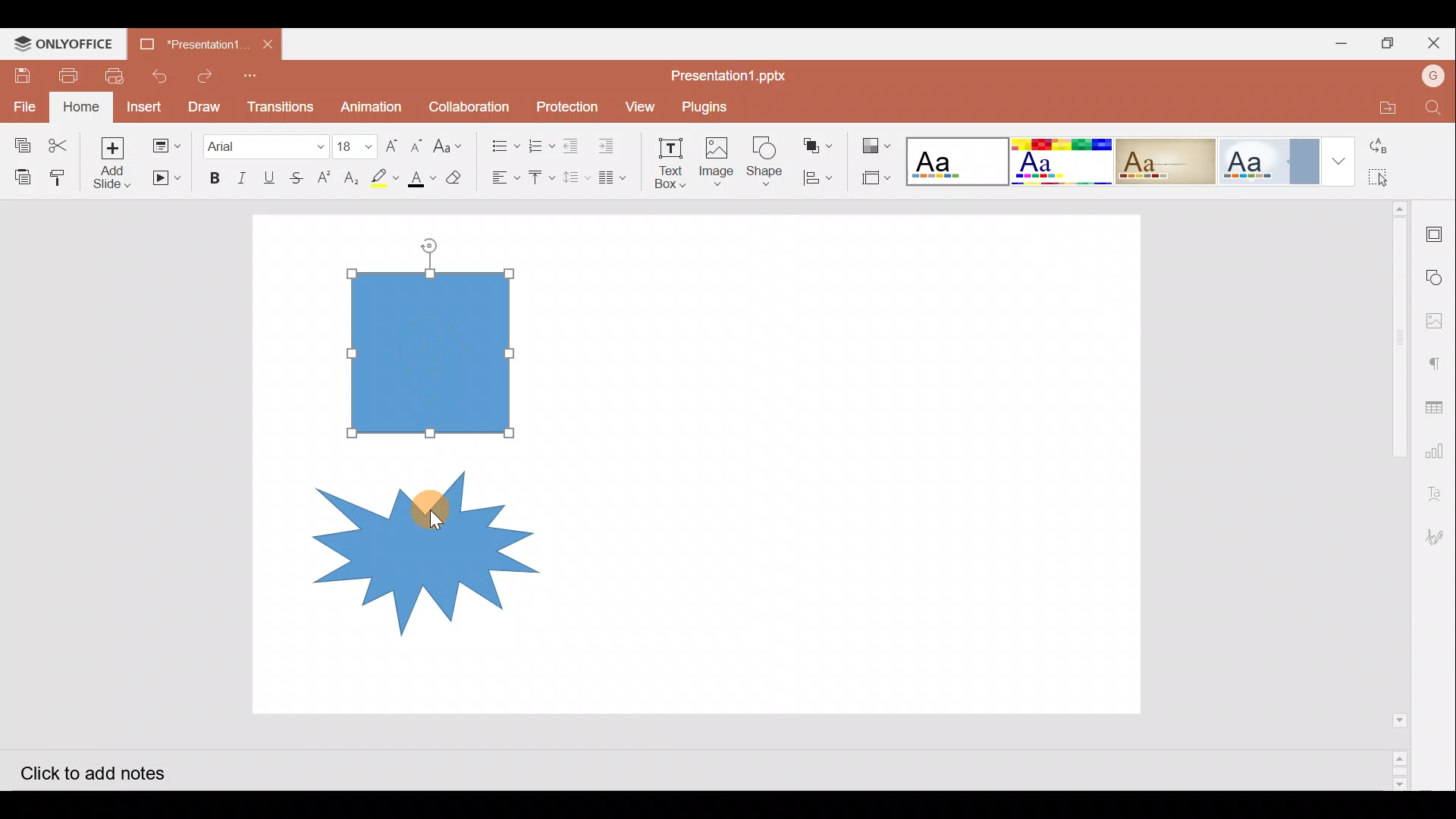 Image resolution: width=1456 pixels, height=819 pixels. Describe the element at coordinates (67, 42) in the screenshot. I see `ONLYOFFICE` at that location.